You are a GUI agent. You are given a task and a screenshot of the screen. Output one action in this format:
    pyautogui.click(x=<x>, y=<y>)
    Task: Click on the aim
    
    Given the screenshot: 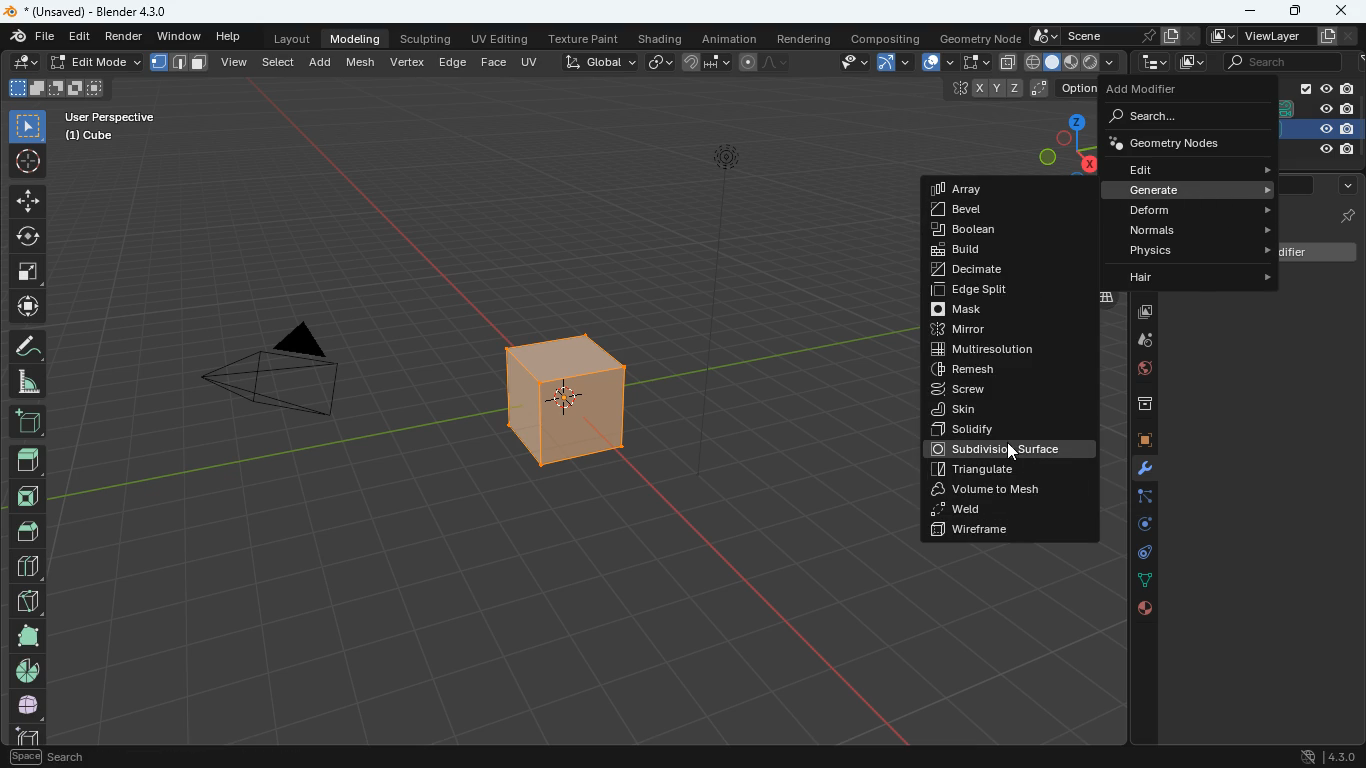 What is the action you would take?
    pyautogui.click(x=26, y=161)
    